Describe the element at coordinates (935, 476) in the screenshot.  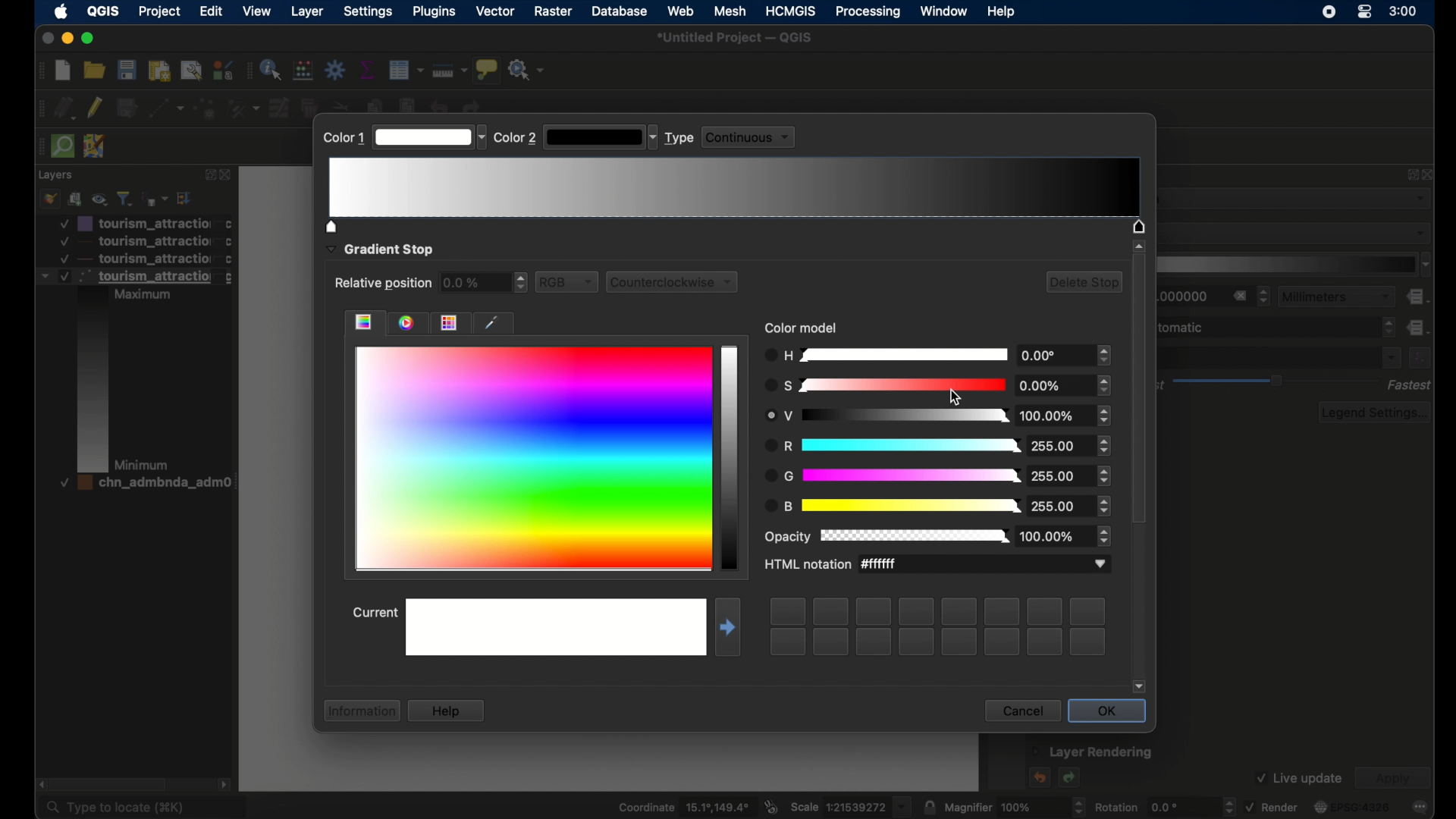
I see `G` at that location.